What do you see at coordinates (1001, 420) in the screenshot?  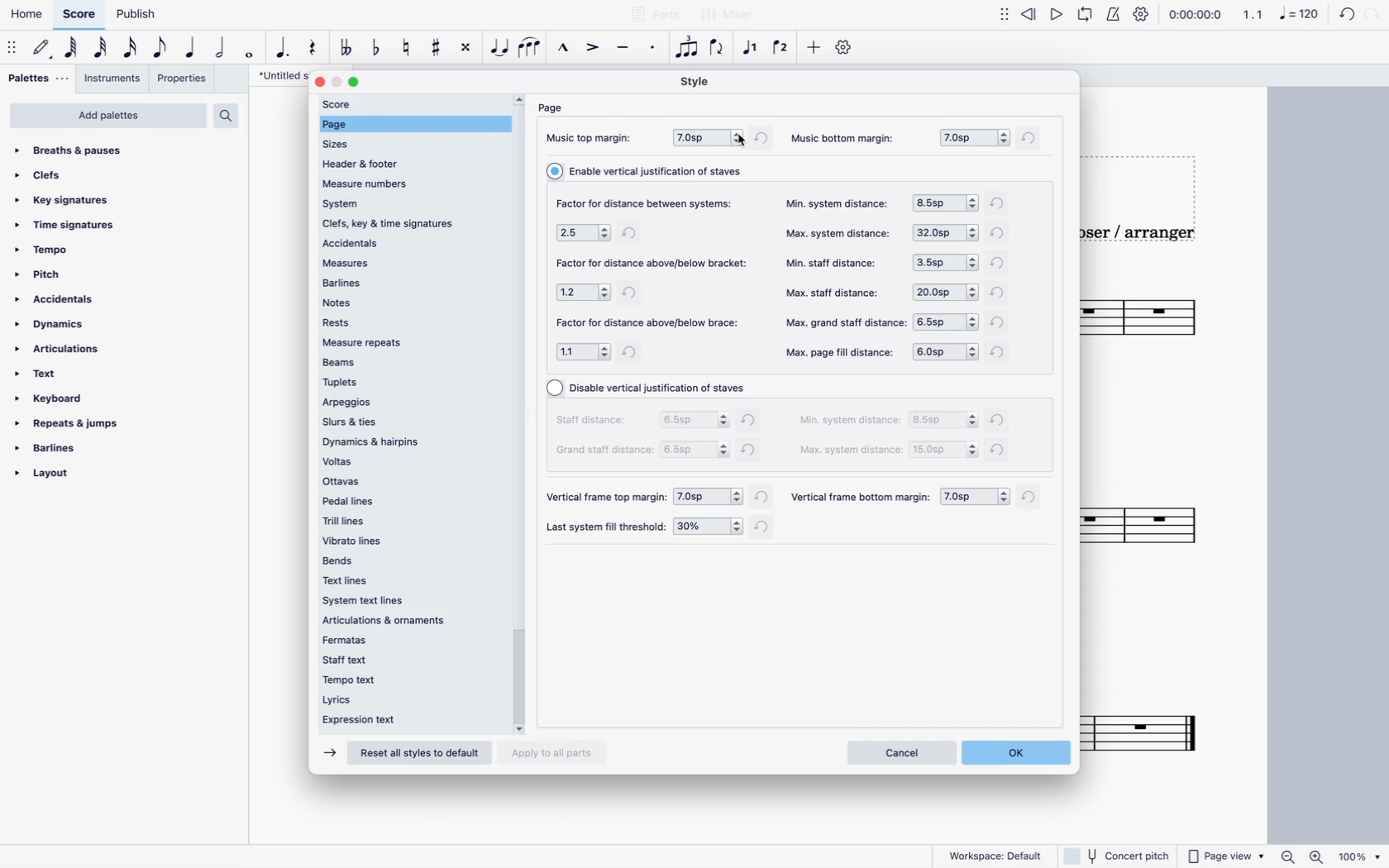 I see `refresh` at bounding box center [1001, 420].